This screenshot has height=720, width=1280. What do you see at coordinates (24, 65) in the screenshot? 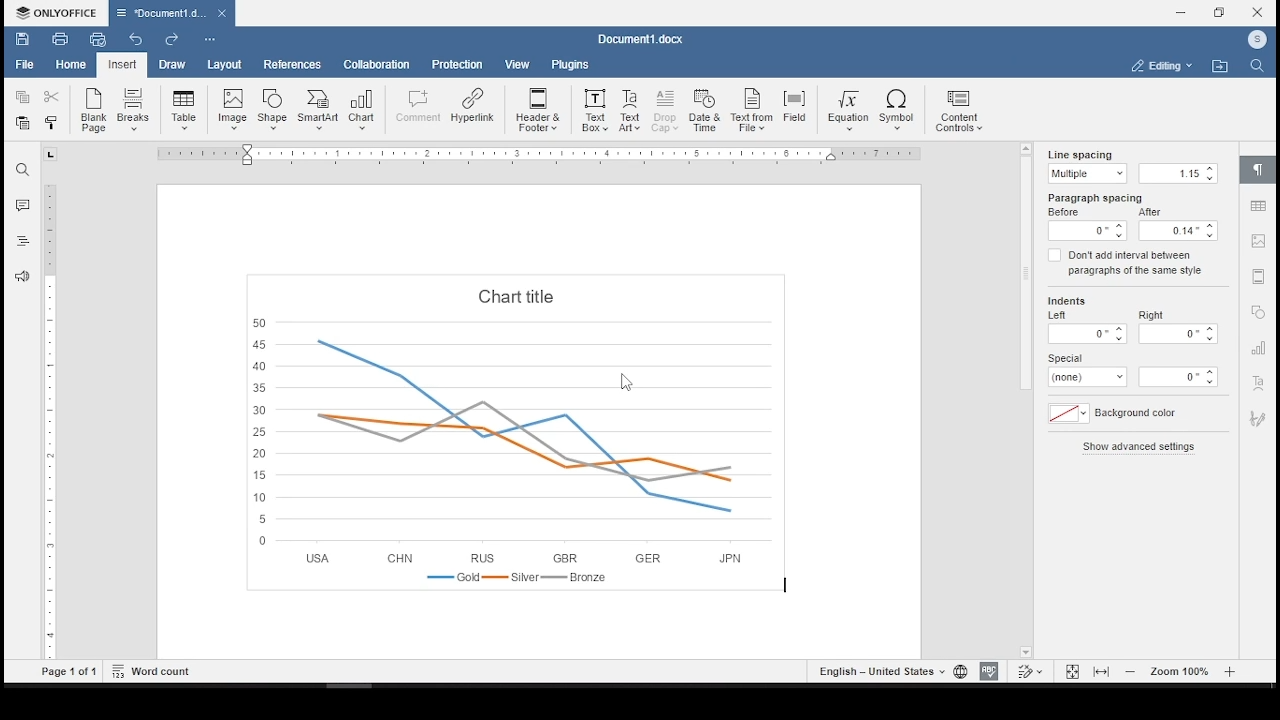
I see `file` at bounding box center [24, 65].